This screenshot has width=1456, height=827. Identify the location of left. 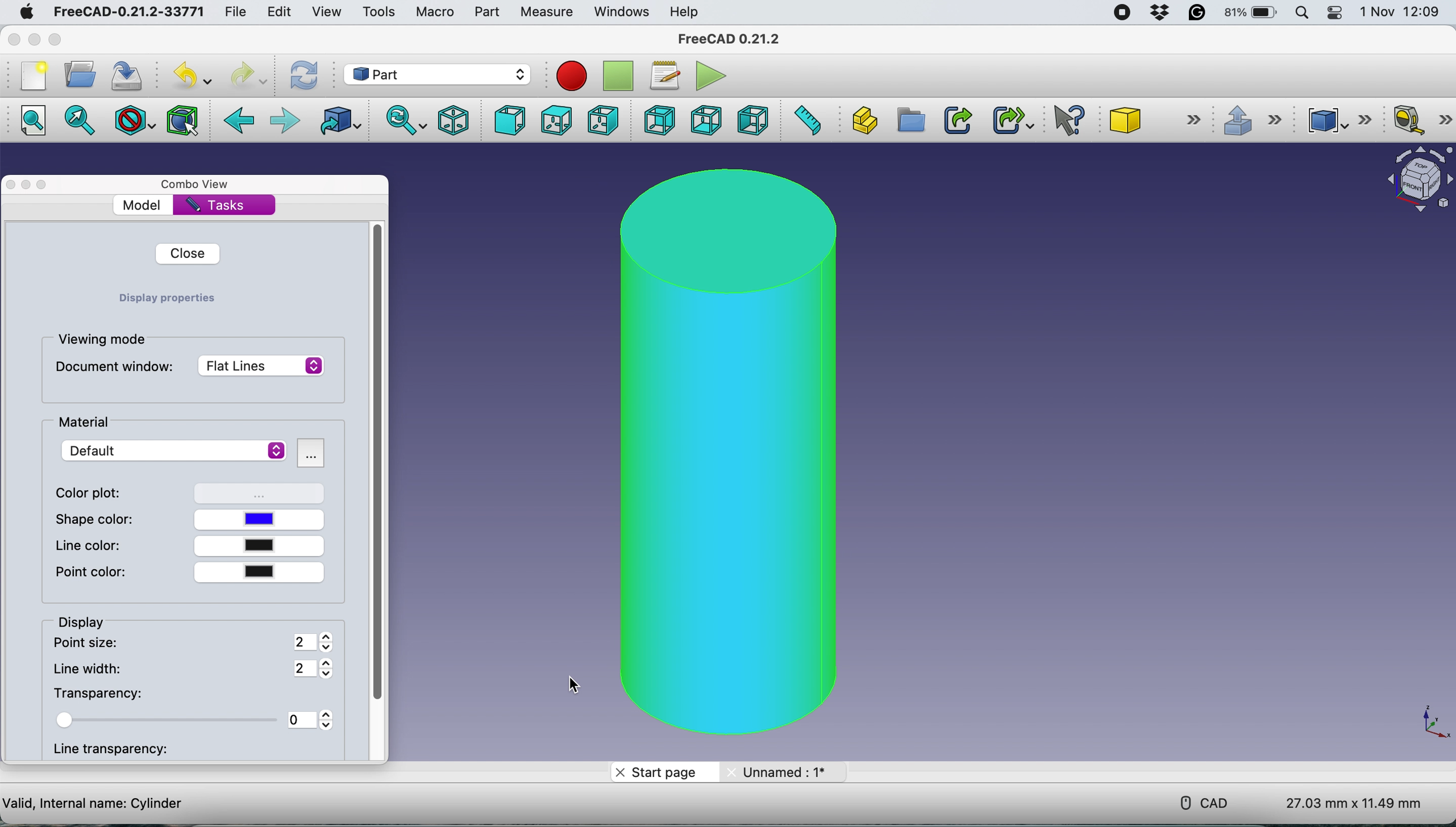
(753, 121).